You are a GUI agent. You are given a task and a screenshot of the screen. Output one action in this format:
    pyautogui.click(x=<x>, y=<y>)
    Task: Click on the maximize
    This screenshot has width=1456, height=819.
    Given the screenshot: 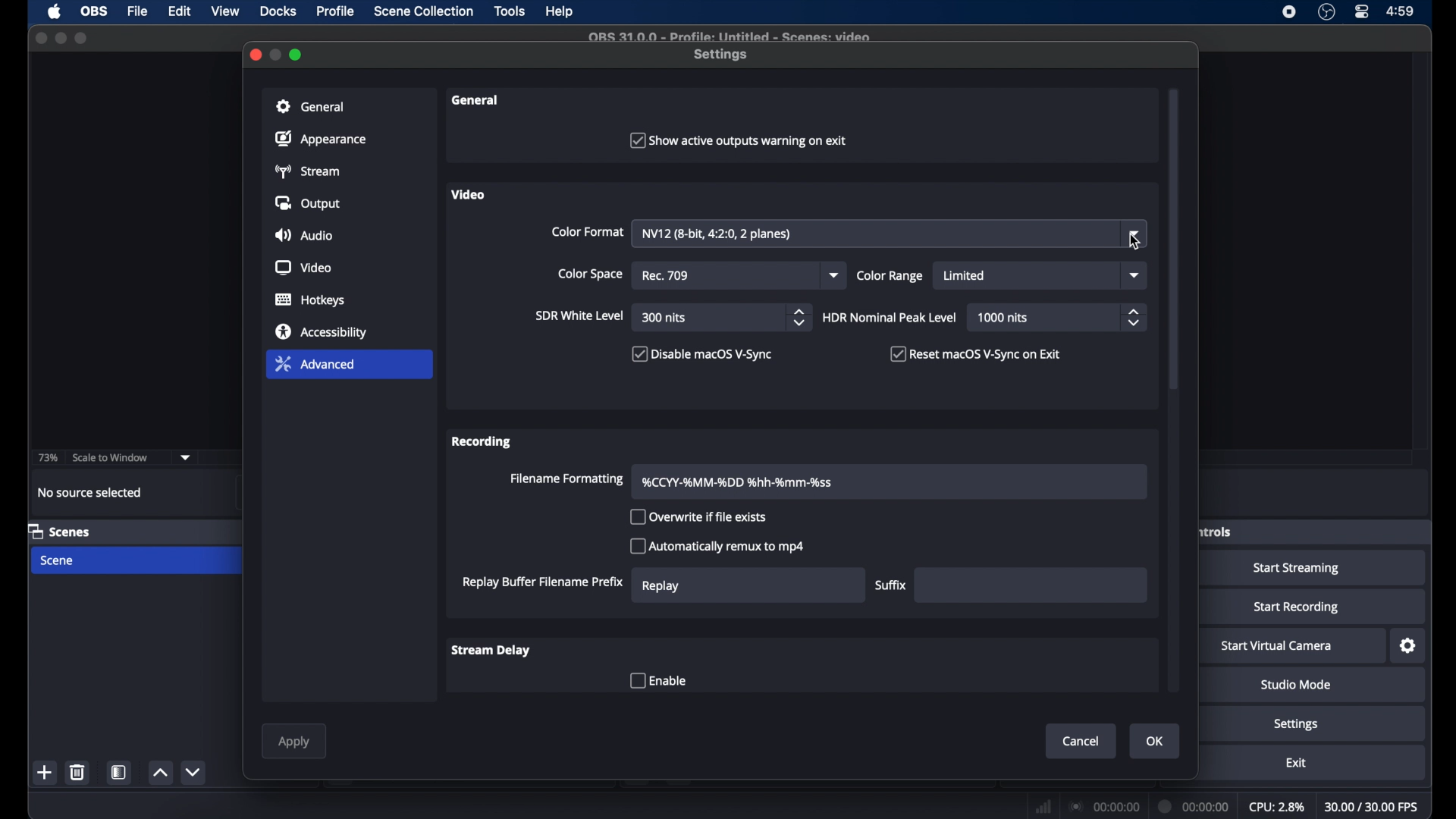 What is the action you would take?
    pyautogui.click(x=297, y=55)
    